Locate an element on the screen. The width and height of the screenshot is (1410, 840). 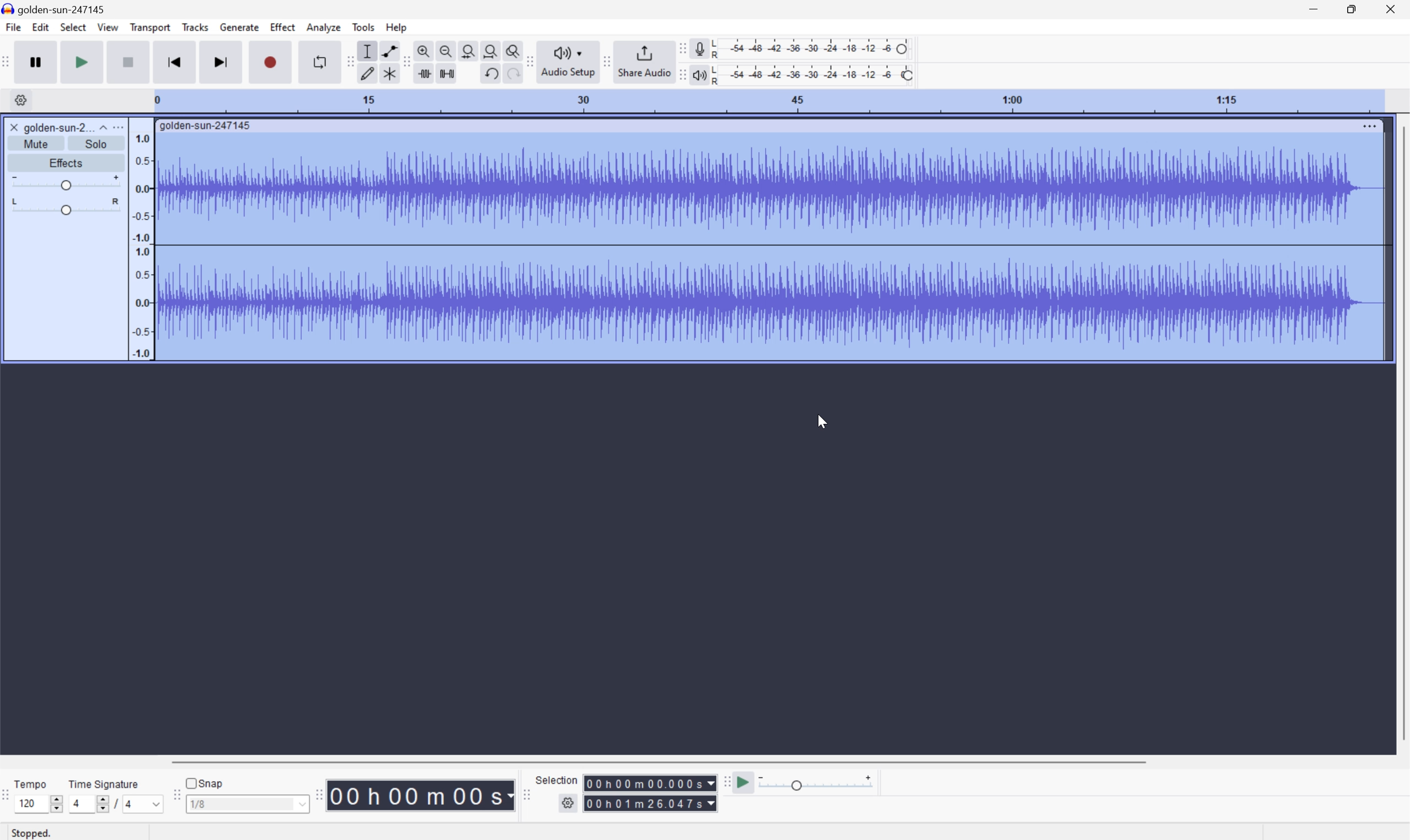
Selection is located at coordinates (556, 779).